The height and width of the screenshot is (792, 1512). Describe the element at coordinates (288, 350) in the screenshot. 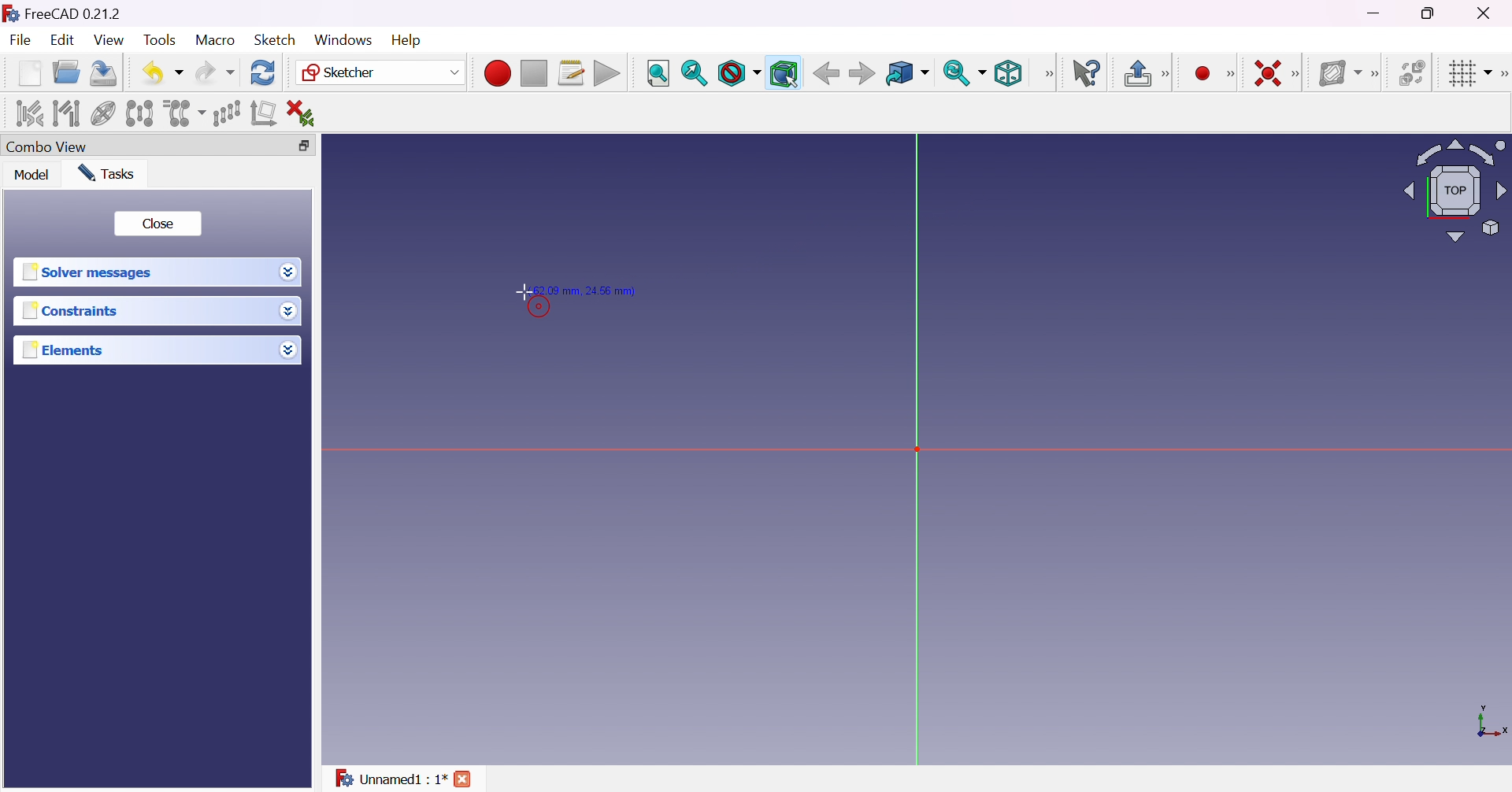

I see `Drop down` at that location.